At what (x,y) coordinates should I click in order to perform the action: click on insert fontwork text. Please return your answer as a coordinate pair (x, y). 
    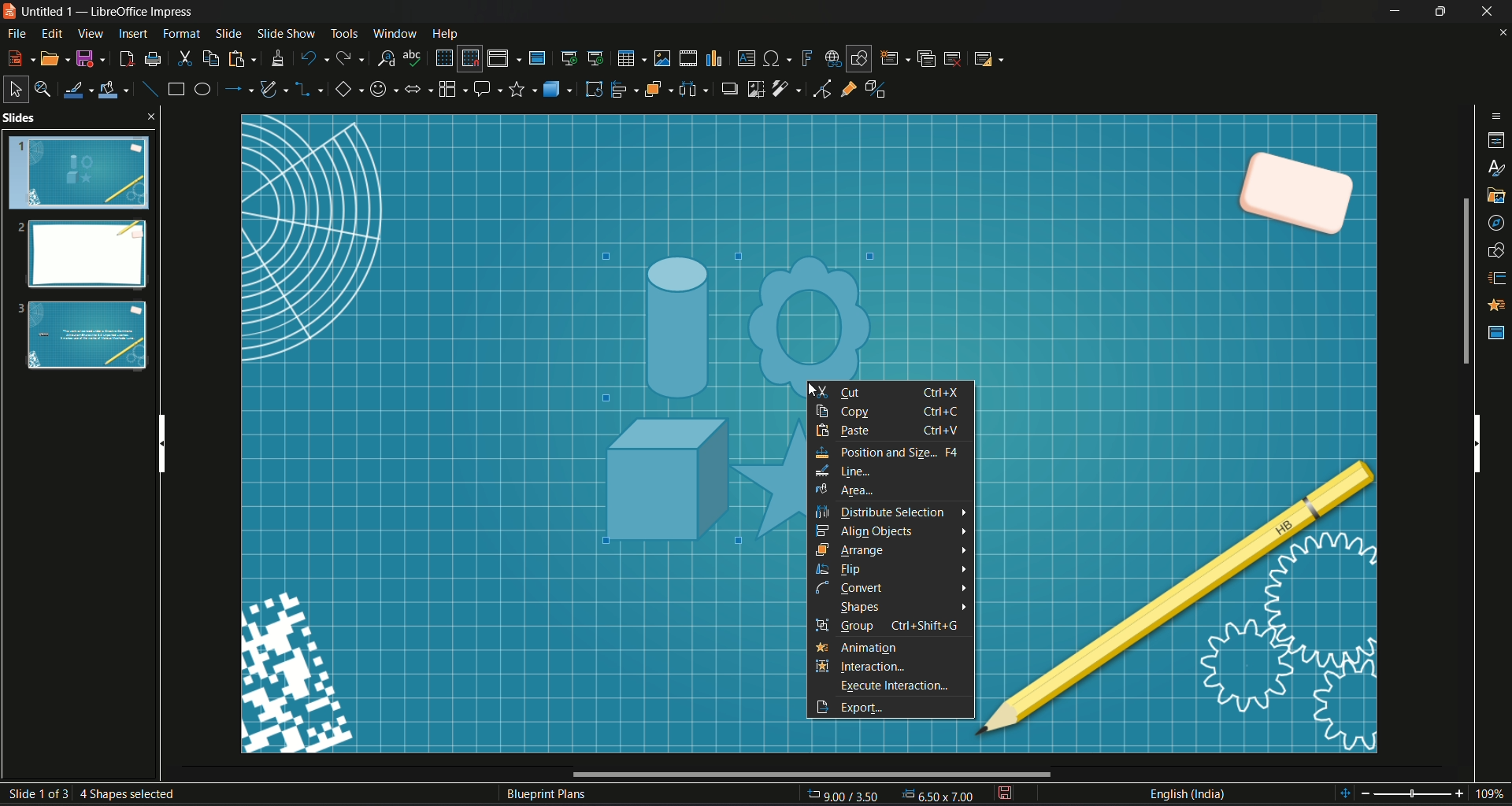
    Looking at the image, I should click on (806, 57).